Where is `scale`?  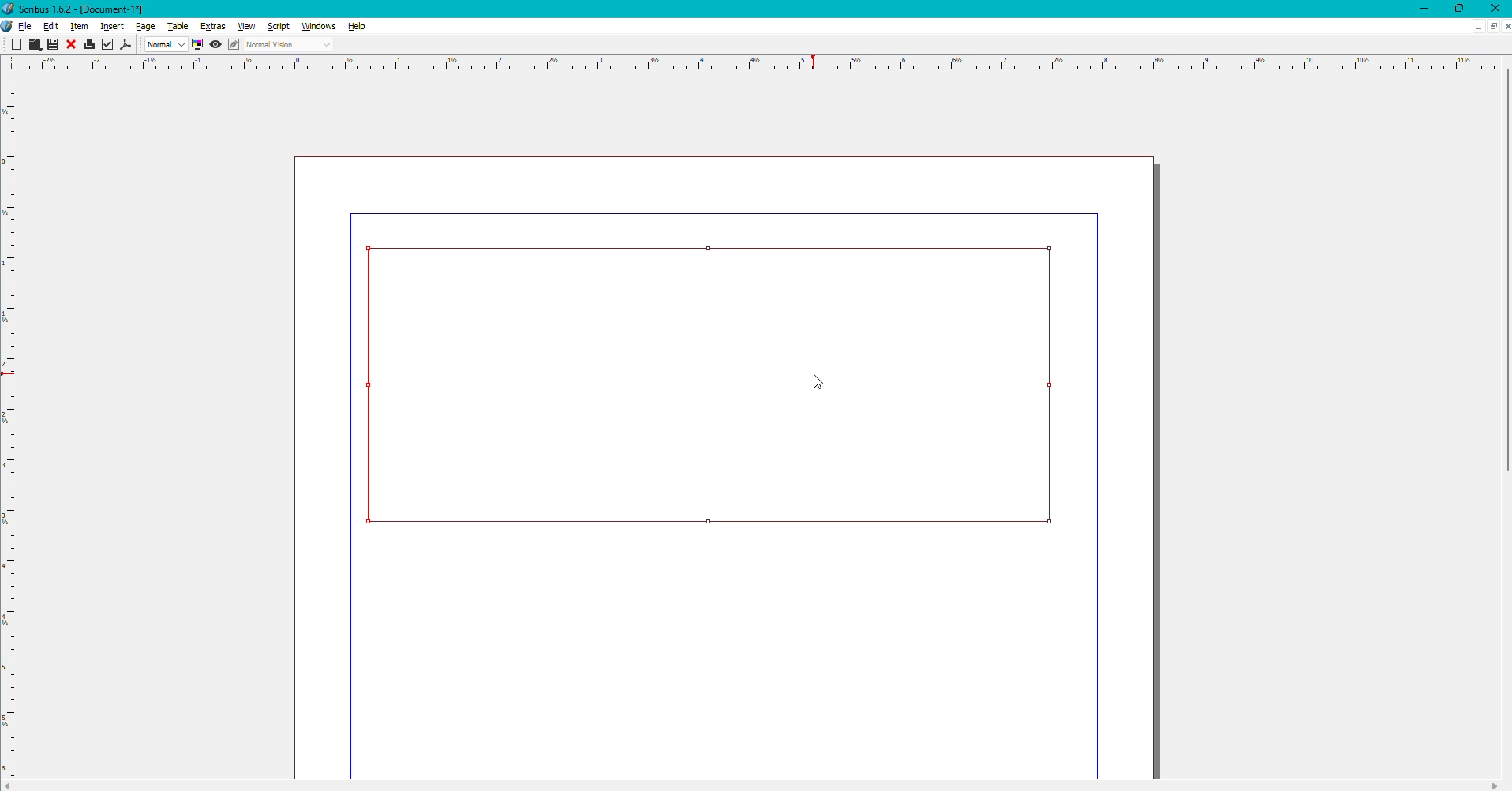 scale is located at coordinates (757, 66).